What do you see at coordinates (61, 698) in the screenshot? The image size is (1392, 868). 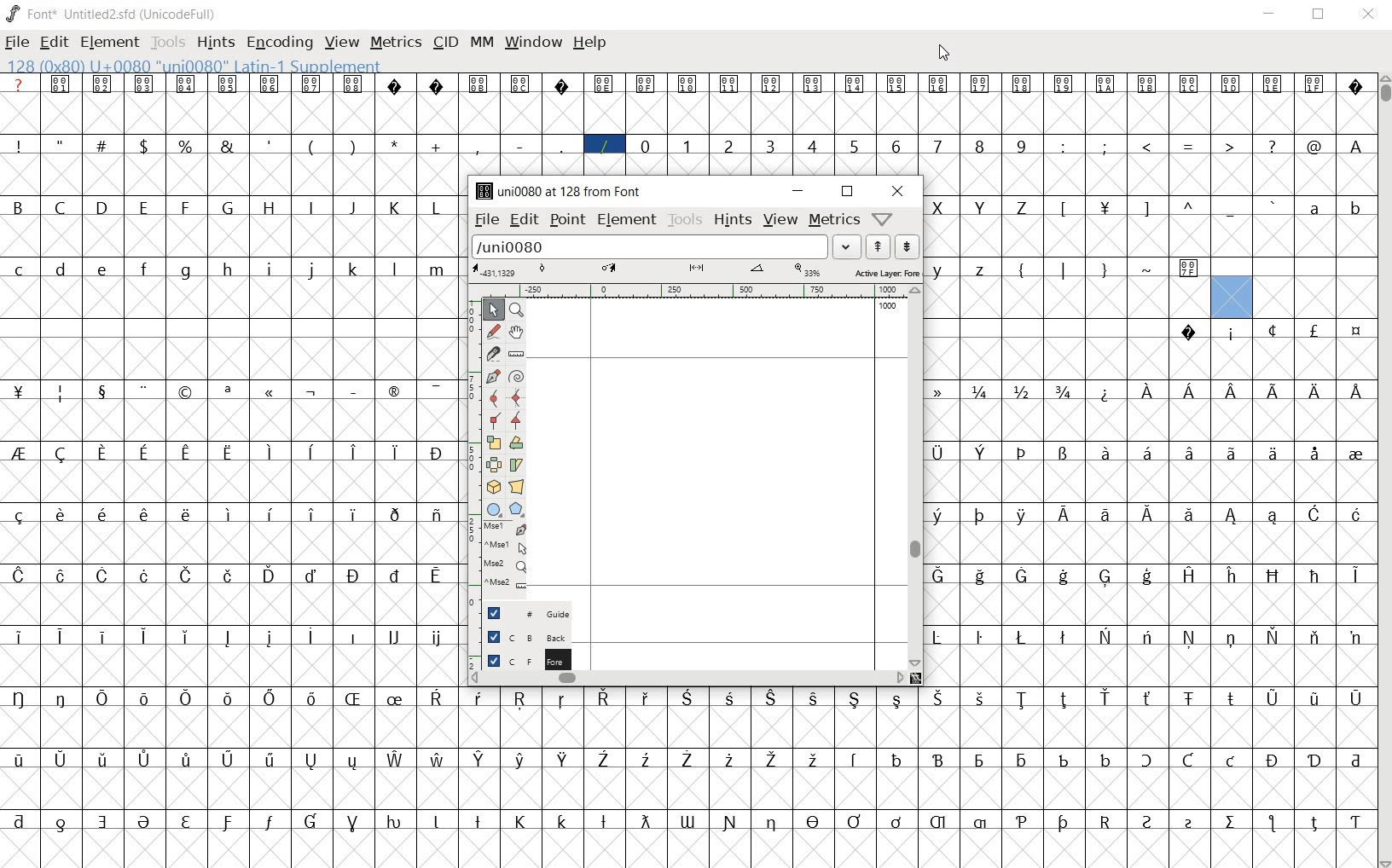 I see `glyph` at bounding box center [61, 698].